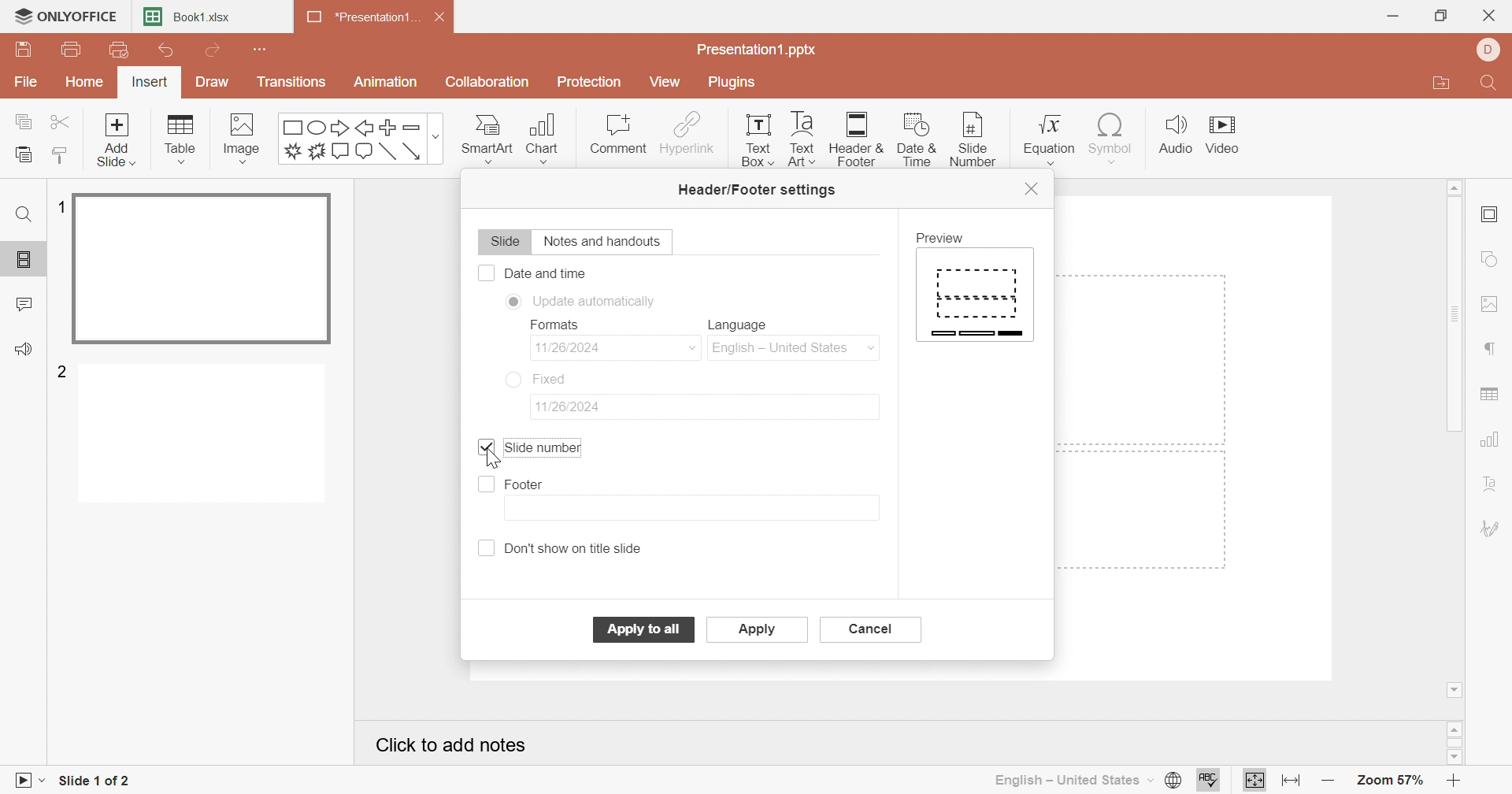  What do you see at coordinates (872, 629) in the screenshot?
I see `Cancel` at bounding box center [872, 629].